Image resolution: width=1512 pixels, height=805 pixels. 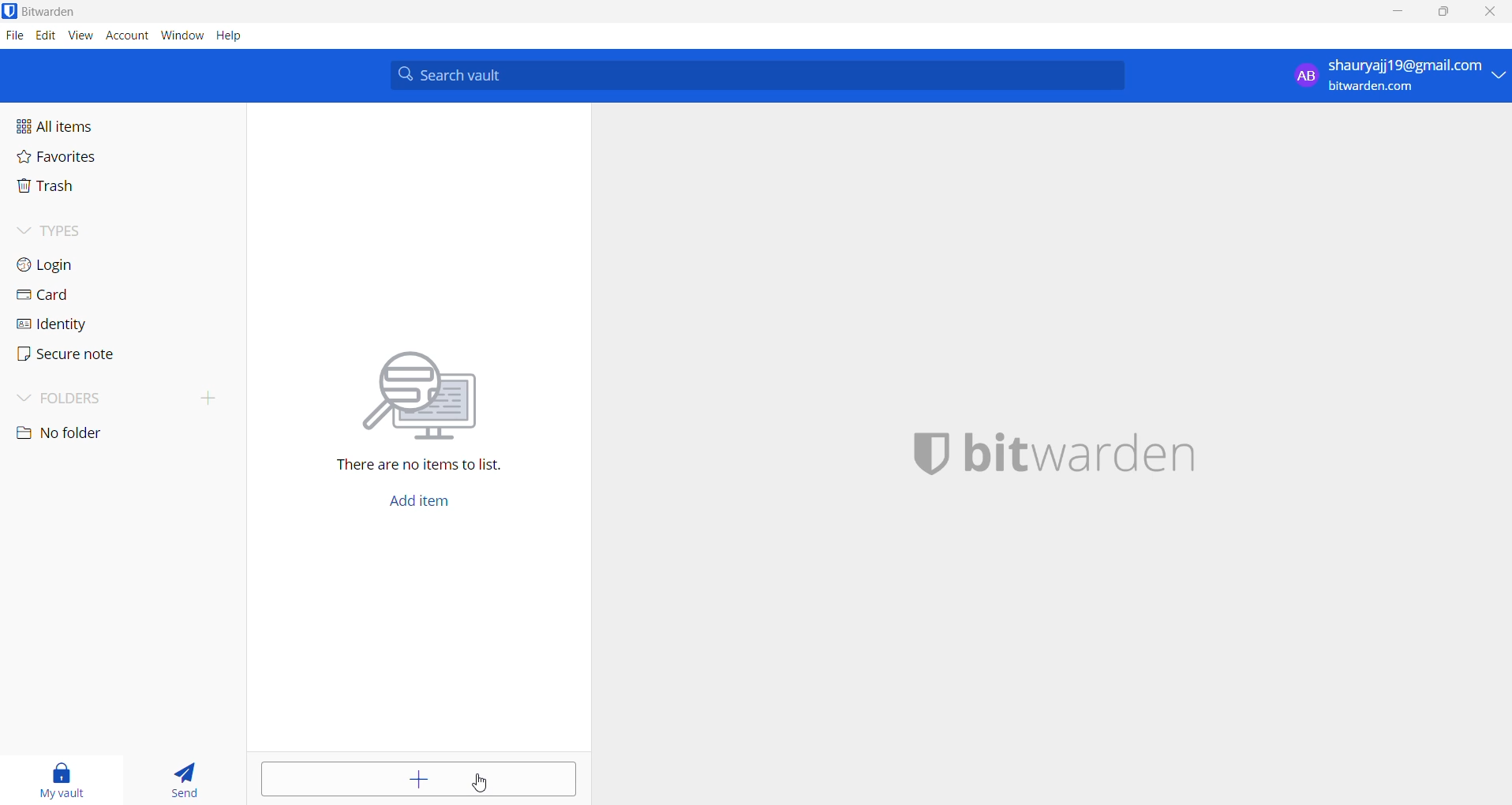 I want to click on view, so click(x=82, y=36).